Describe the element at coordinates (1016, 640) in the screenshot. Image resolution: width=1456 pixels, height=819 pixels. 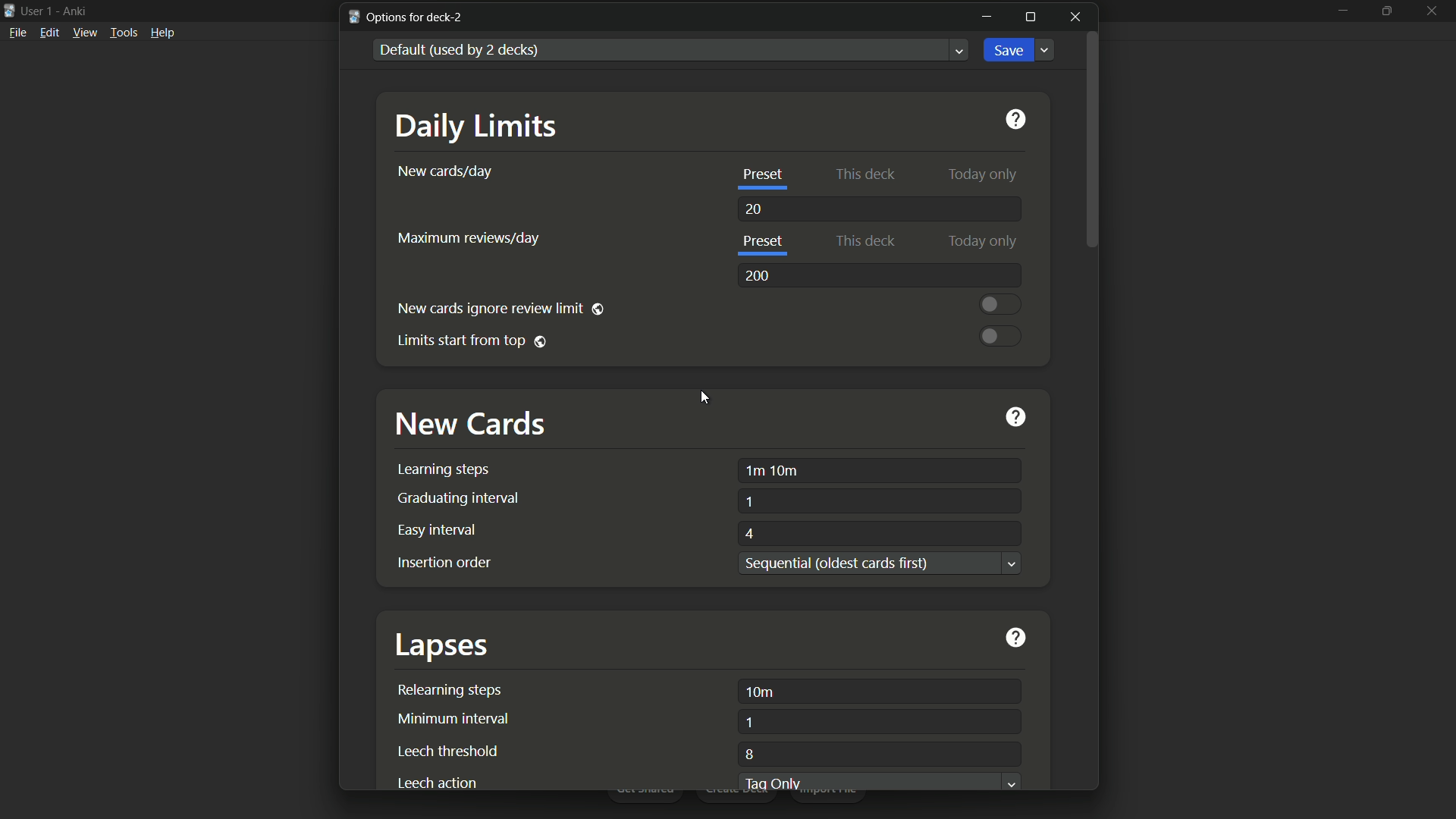
I see `get help` at that location.